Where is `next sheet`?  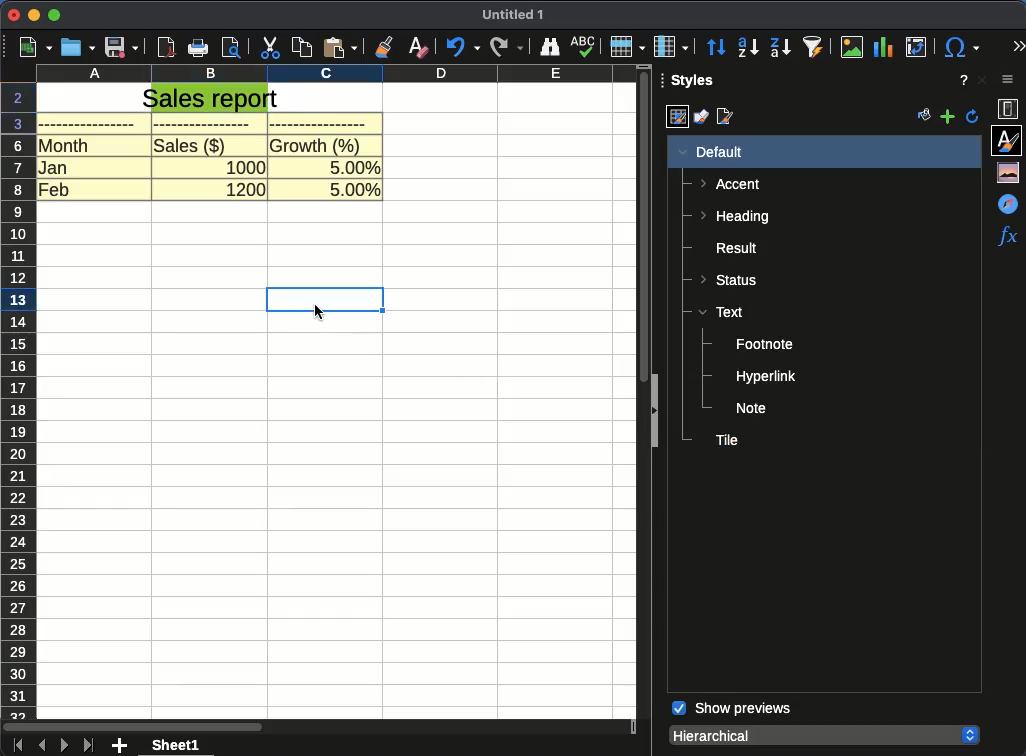
next sheet is located at coordinates (63, 745).